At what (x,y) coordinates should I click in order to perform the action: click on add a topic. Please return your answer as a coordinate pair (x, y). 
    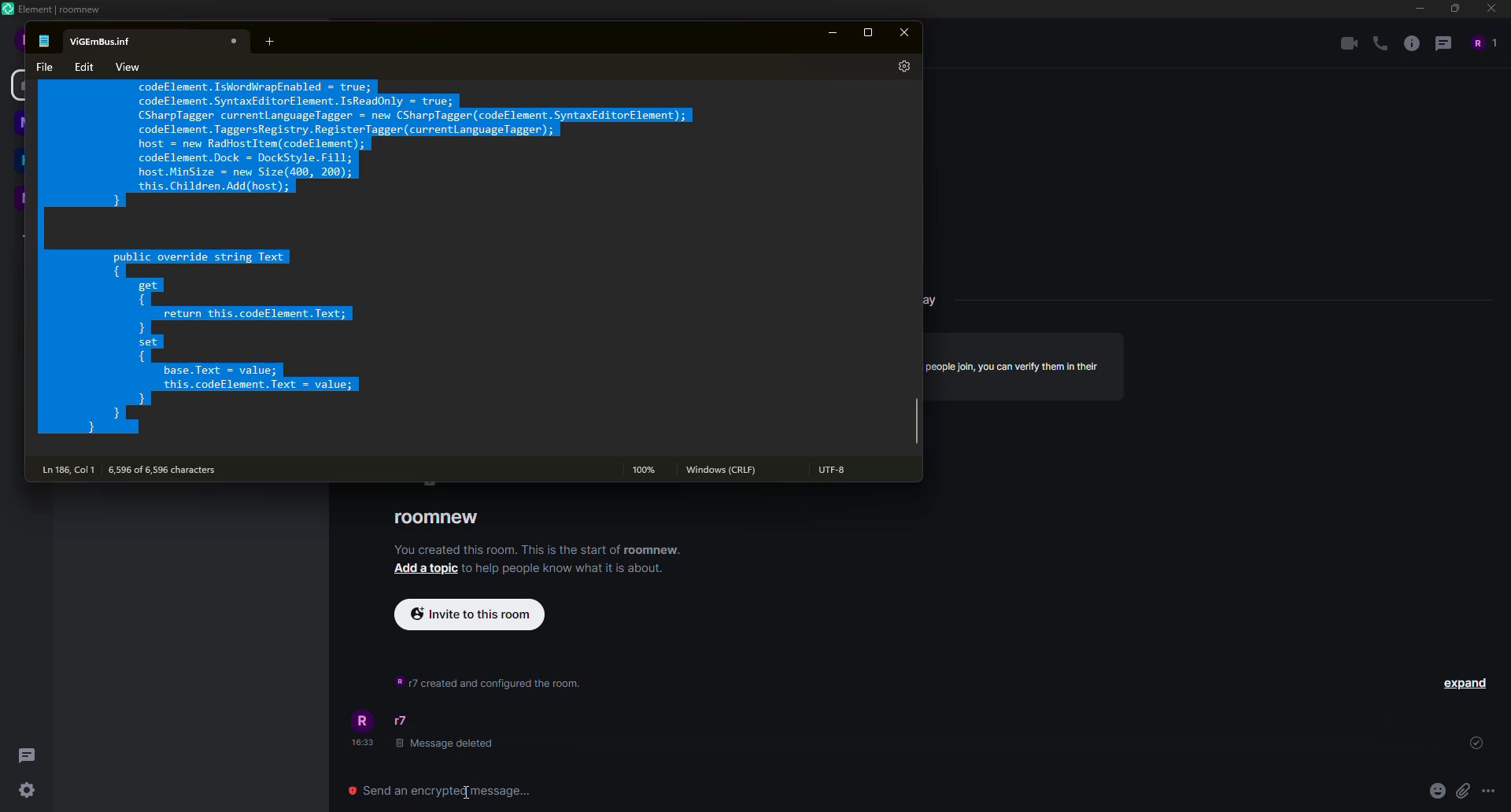
    Looking at the image, I should click on (426, 570).